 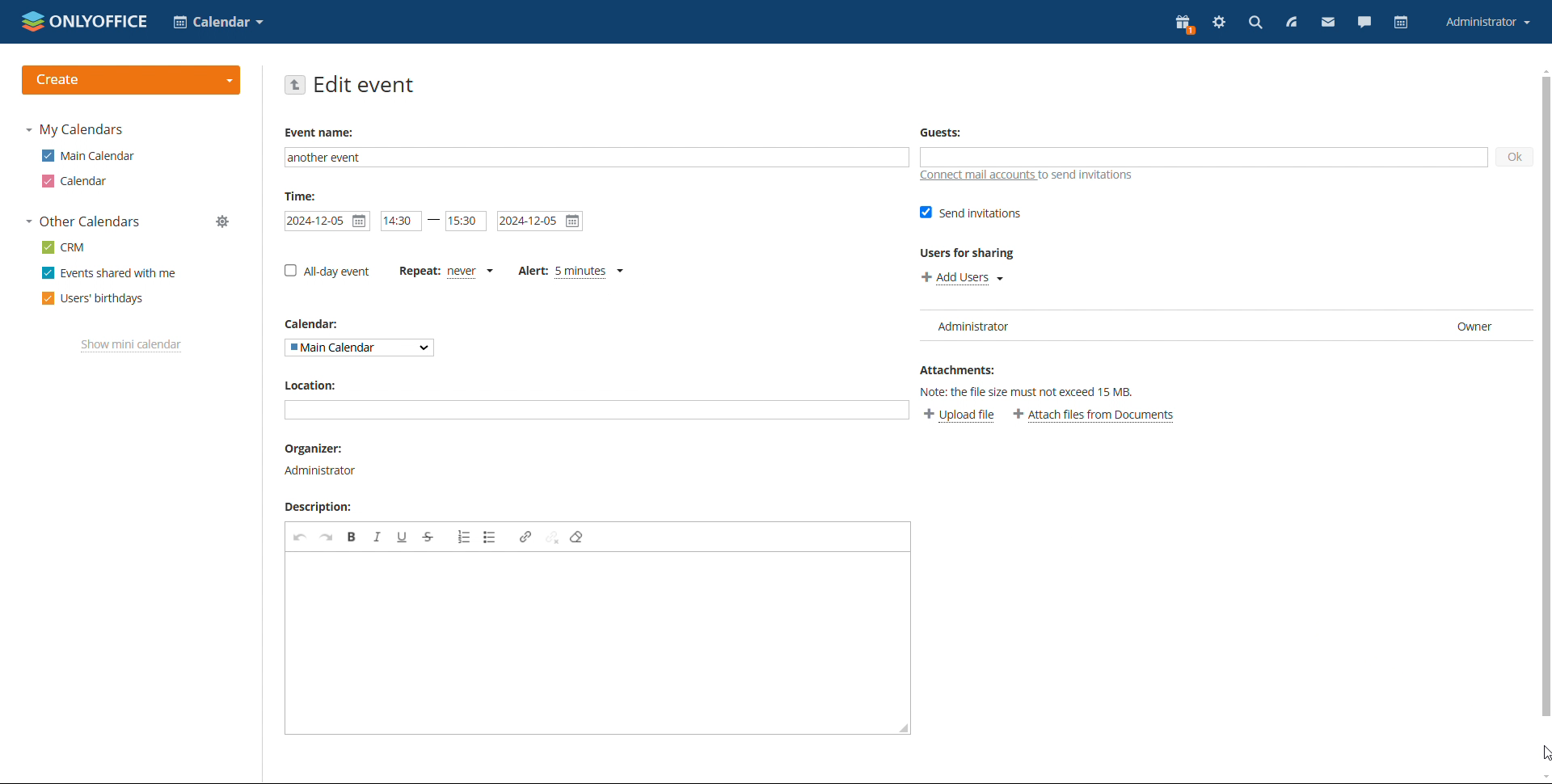 What do you see at coordinates (958, 368) in the screenshot?
I see `Attachments:` at bounding box center [958, 368].